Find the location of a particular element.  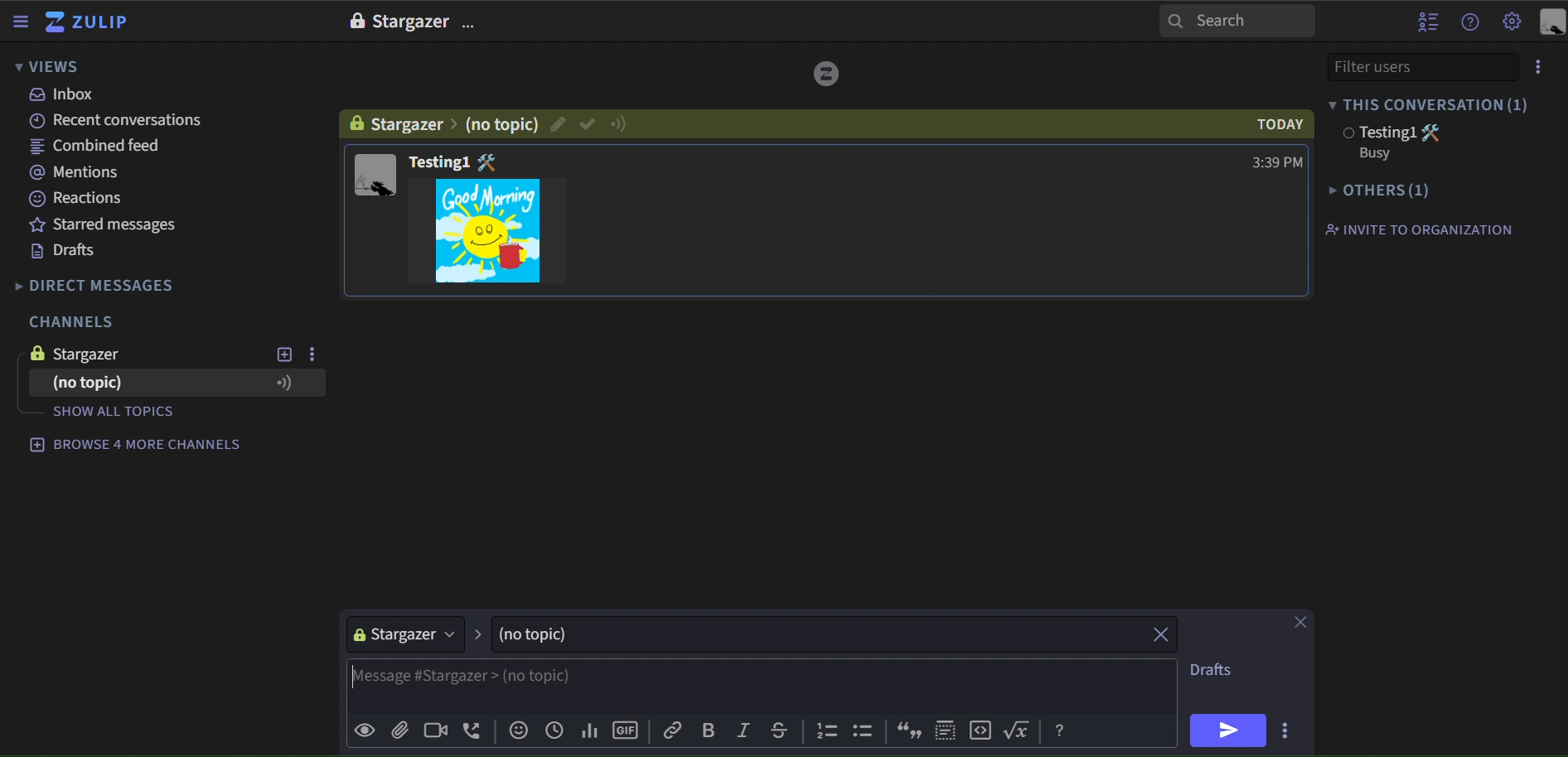

get help is located at coordinates (1471, 22).